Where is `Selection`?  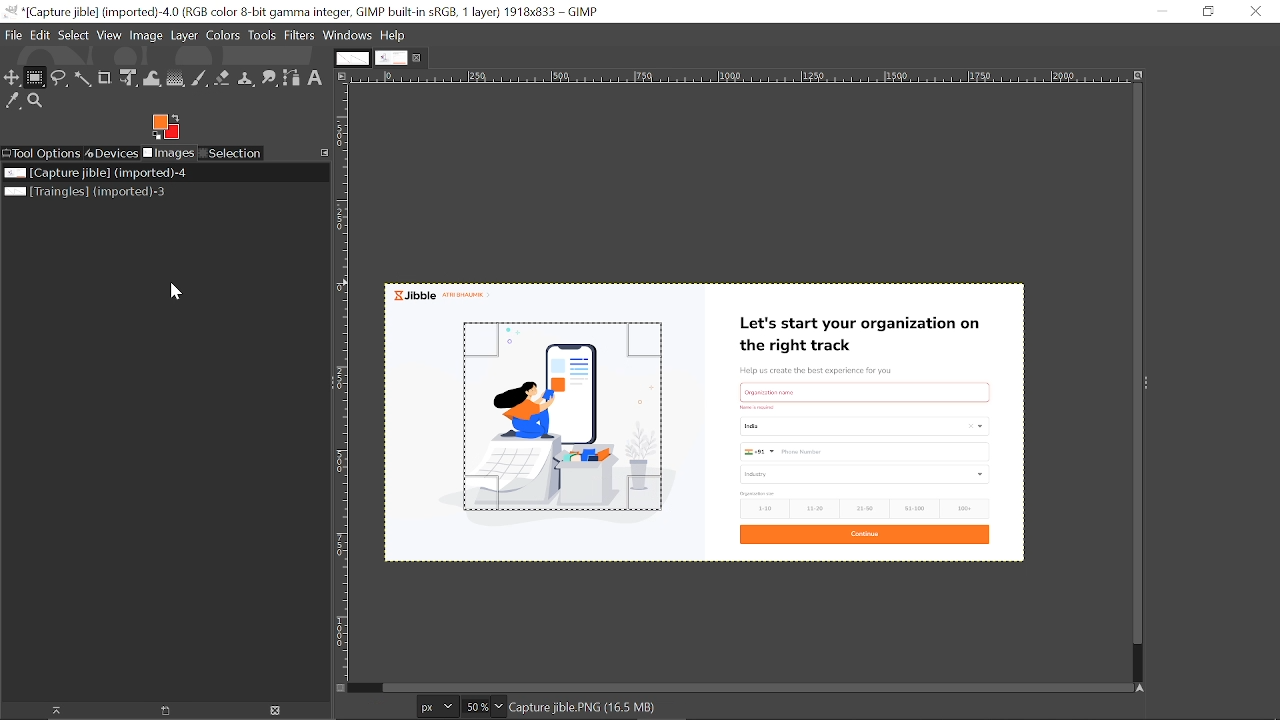 Selection is located at coordinates (233, 154).